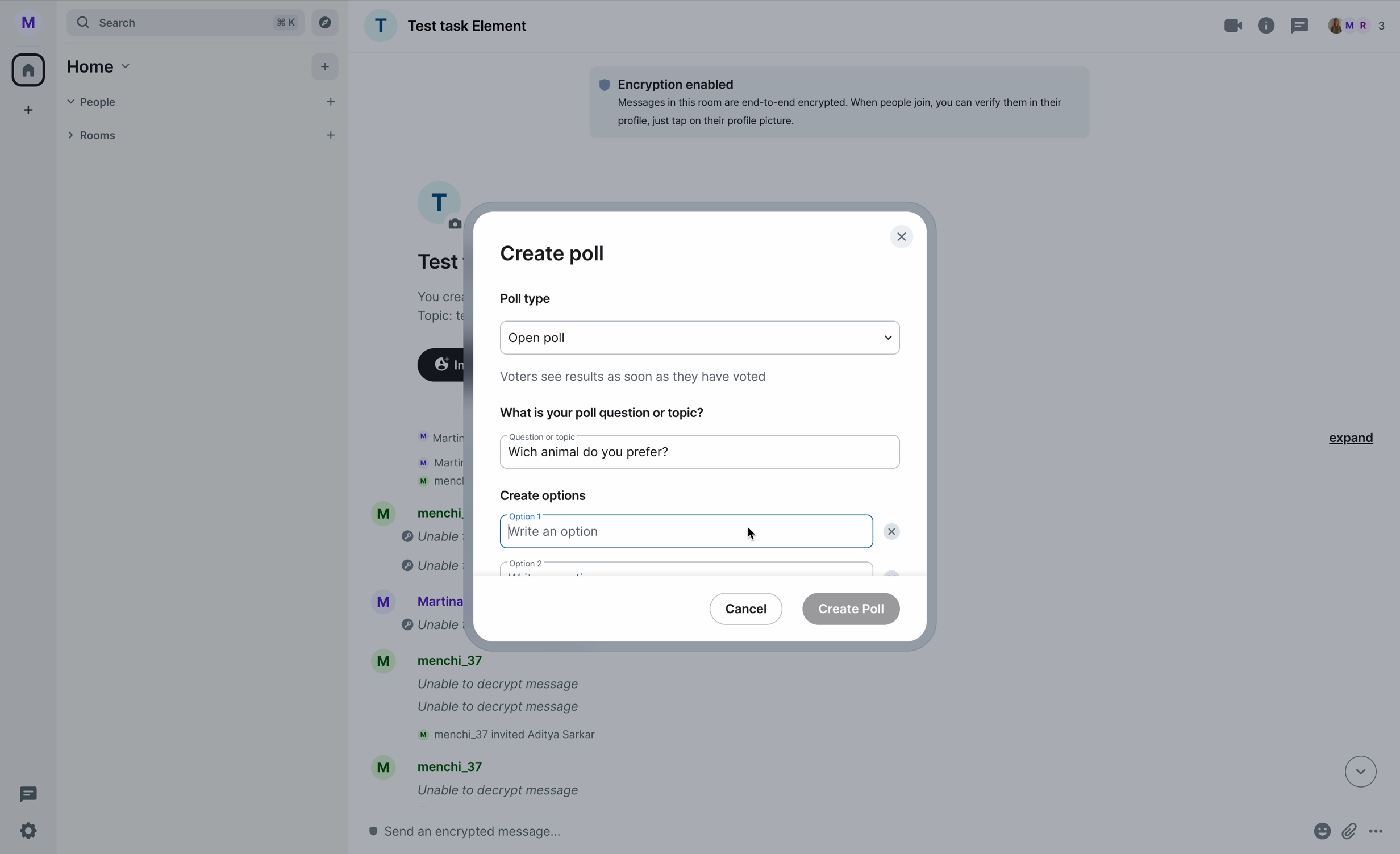 The width and height of the screenshot is (1400, 854). Describe the element at coordinates (30, 113) in the screenshot. I see `add` at that location.